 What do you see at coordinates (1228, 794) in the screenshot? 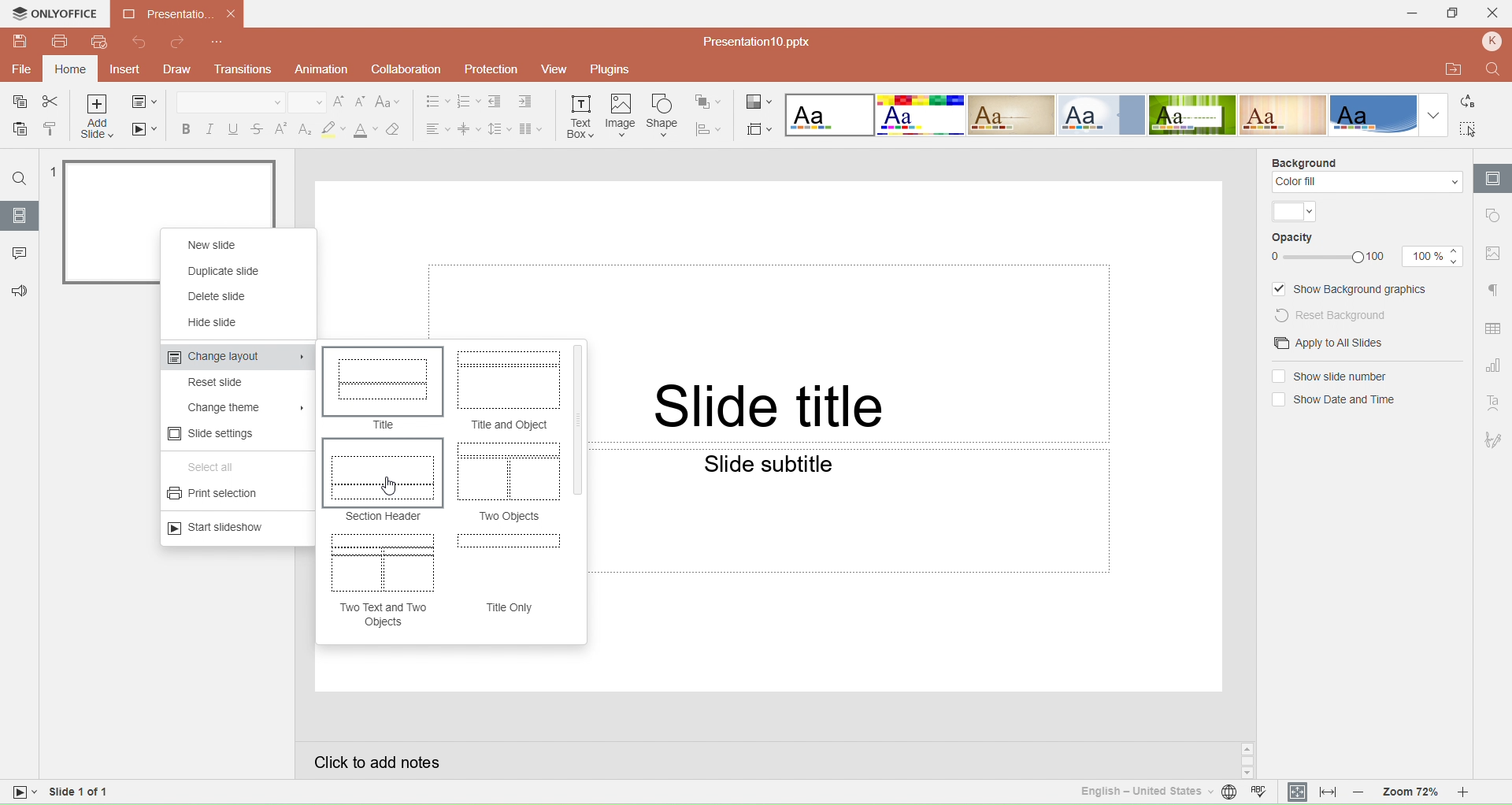
I see `Set document language` at bounding box center [1228, 794].